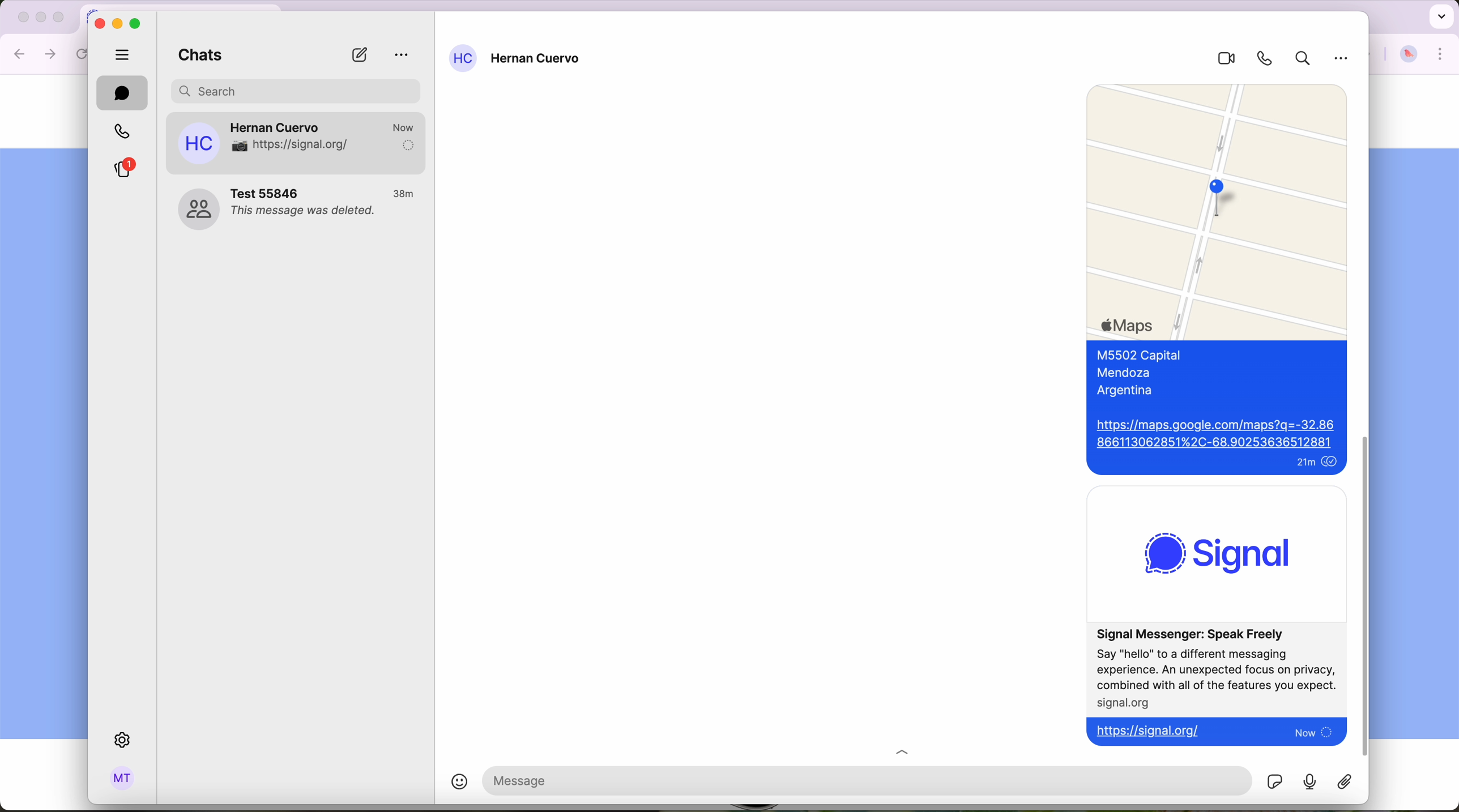 The image size is (1459, 812). Describe the element at coordinates (268, 193) in the screenshot. I see `Test 55846` at that location.